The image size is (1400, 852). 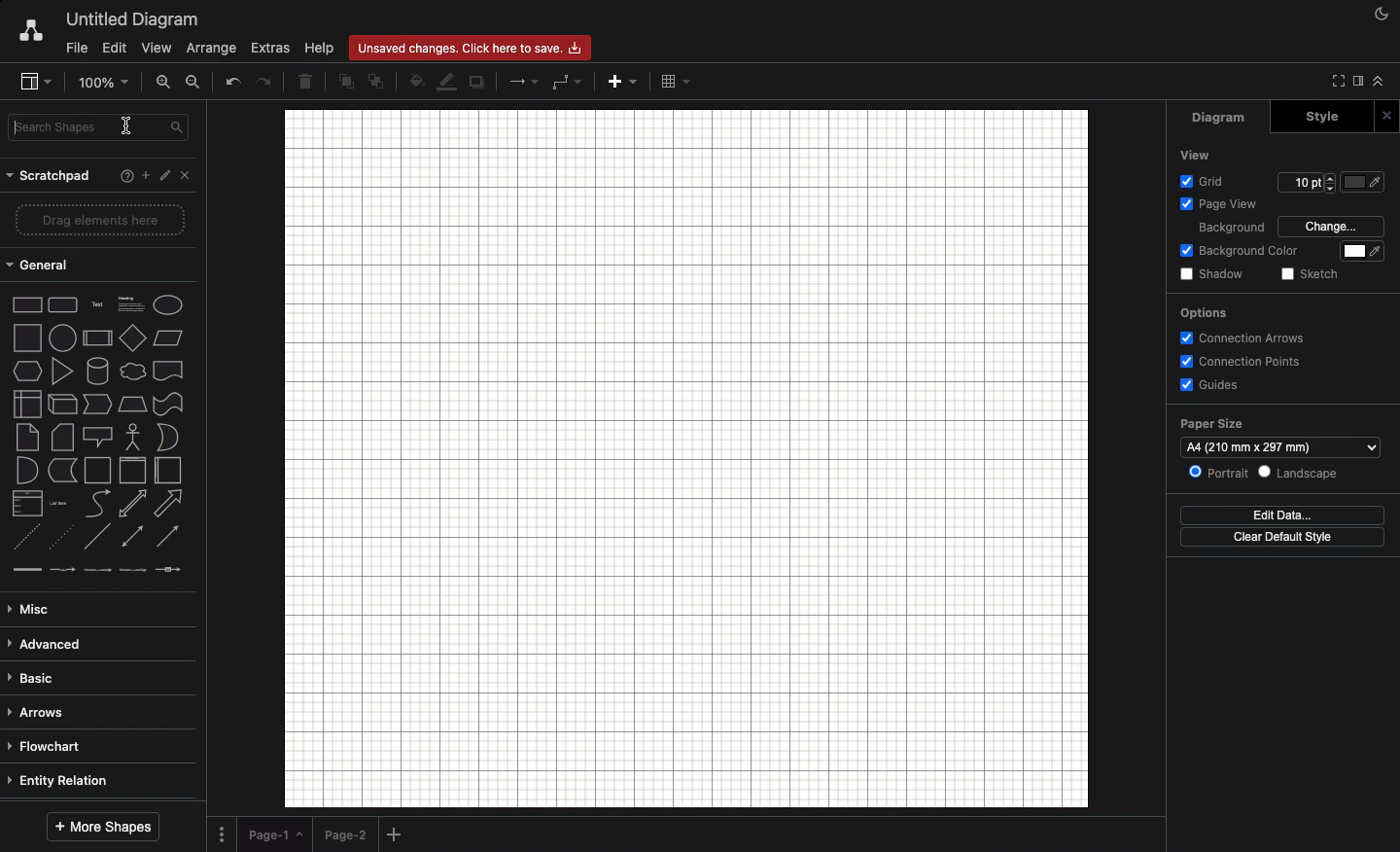 I want to click on View, so click(x=1194, y=155).